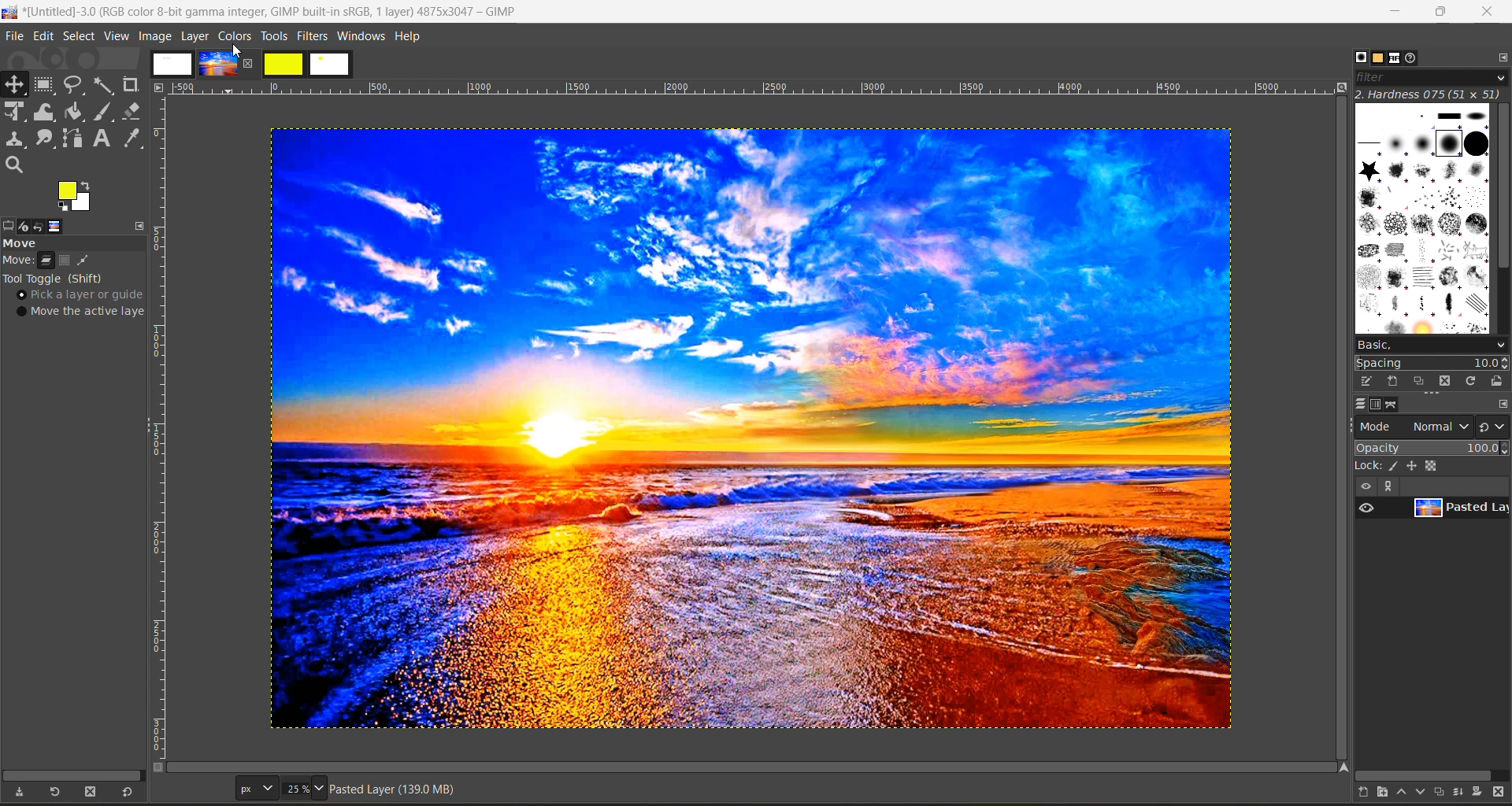 The height and width of the screenshot is (806, 1512). Describe the element at coordinates (1422, 793) in the screenshot. I see `lower this layer` at that location.